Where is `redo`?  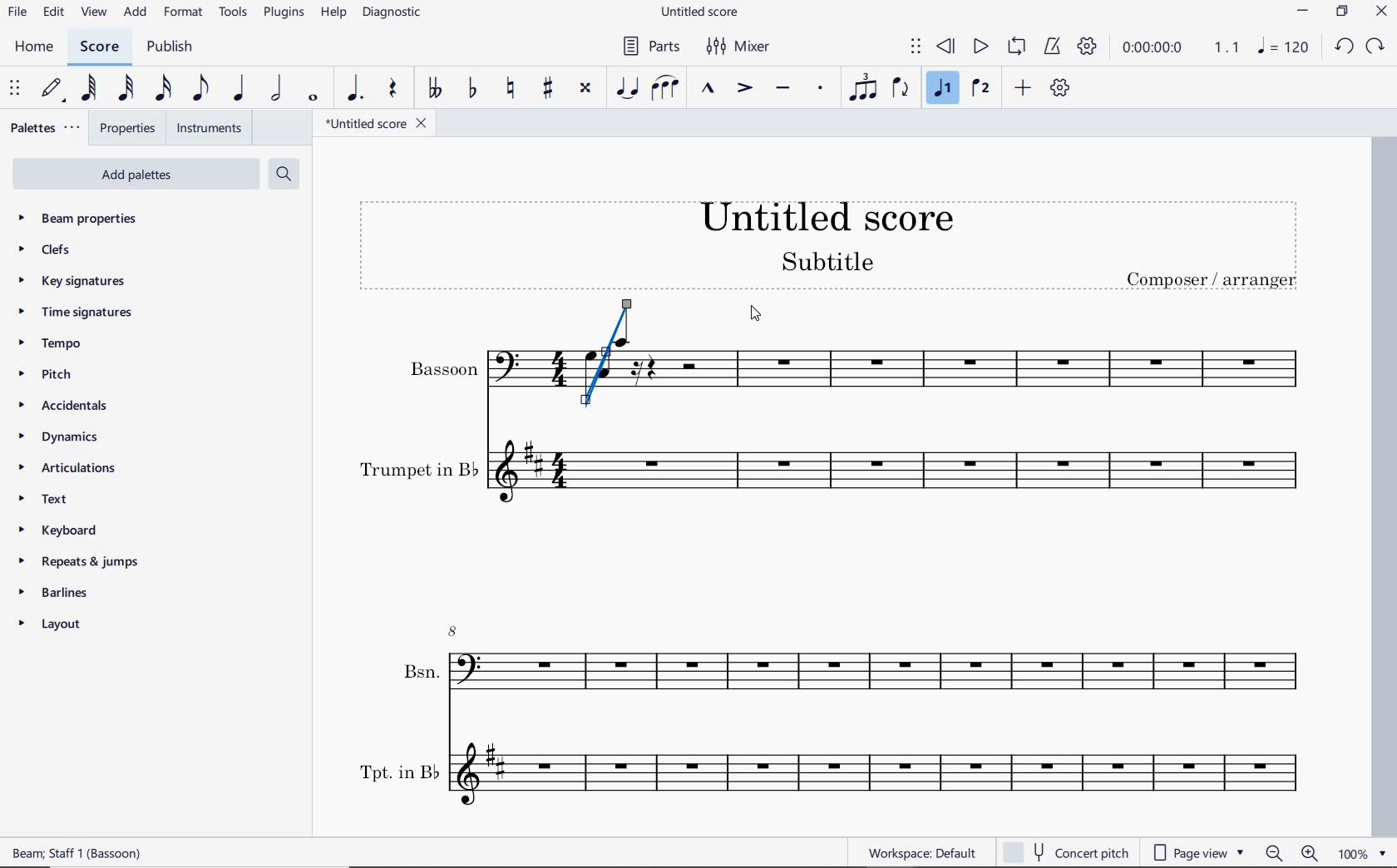
redo is located at coordinates (1375, 47).